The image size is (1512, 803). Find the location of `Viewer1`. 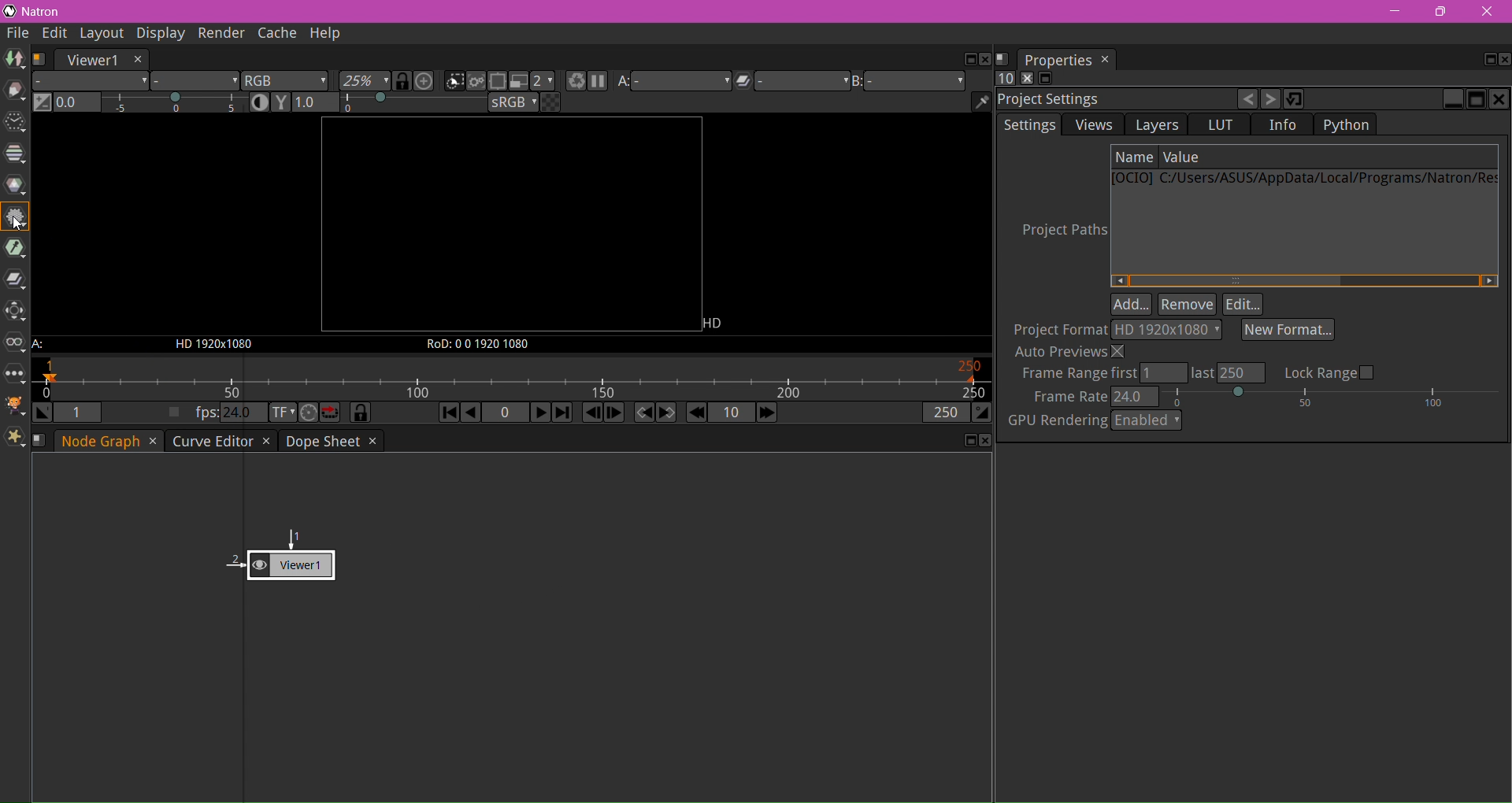

Viewer1 is located at coordinates (91, 60).